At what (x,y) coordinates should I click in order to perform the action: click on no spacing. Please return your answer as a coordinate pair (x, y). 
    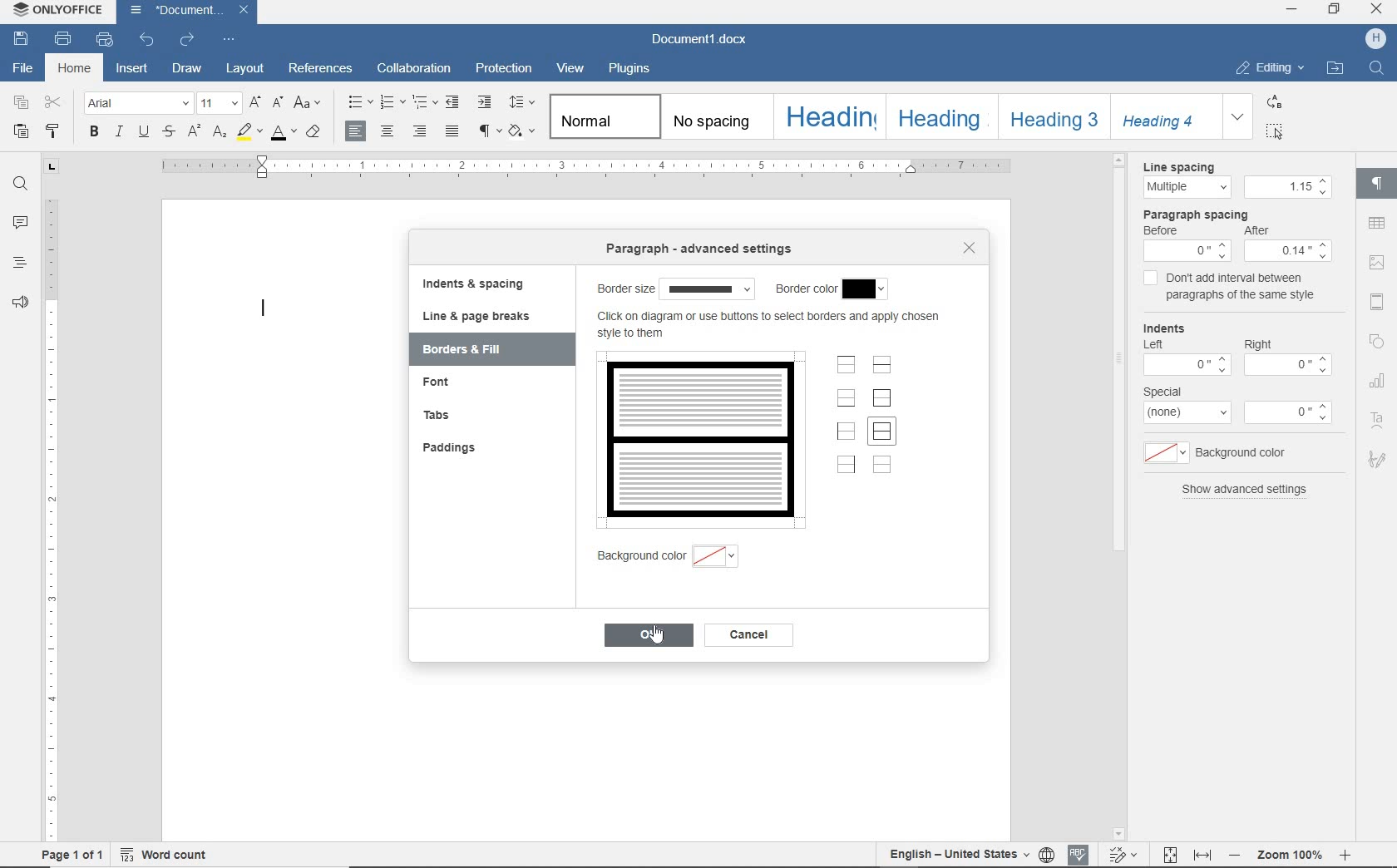
    Looking at the image, I should click on (715, 123).